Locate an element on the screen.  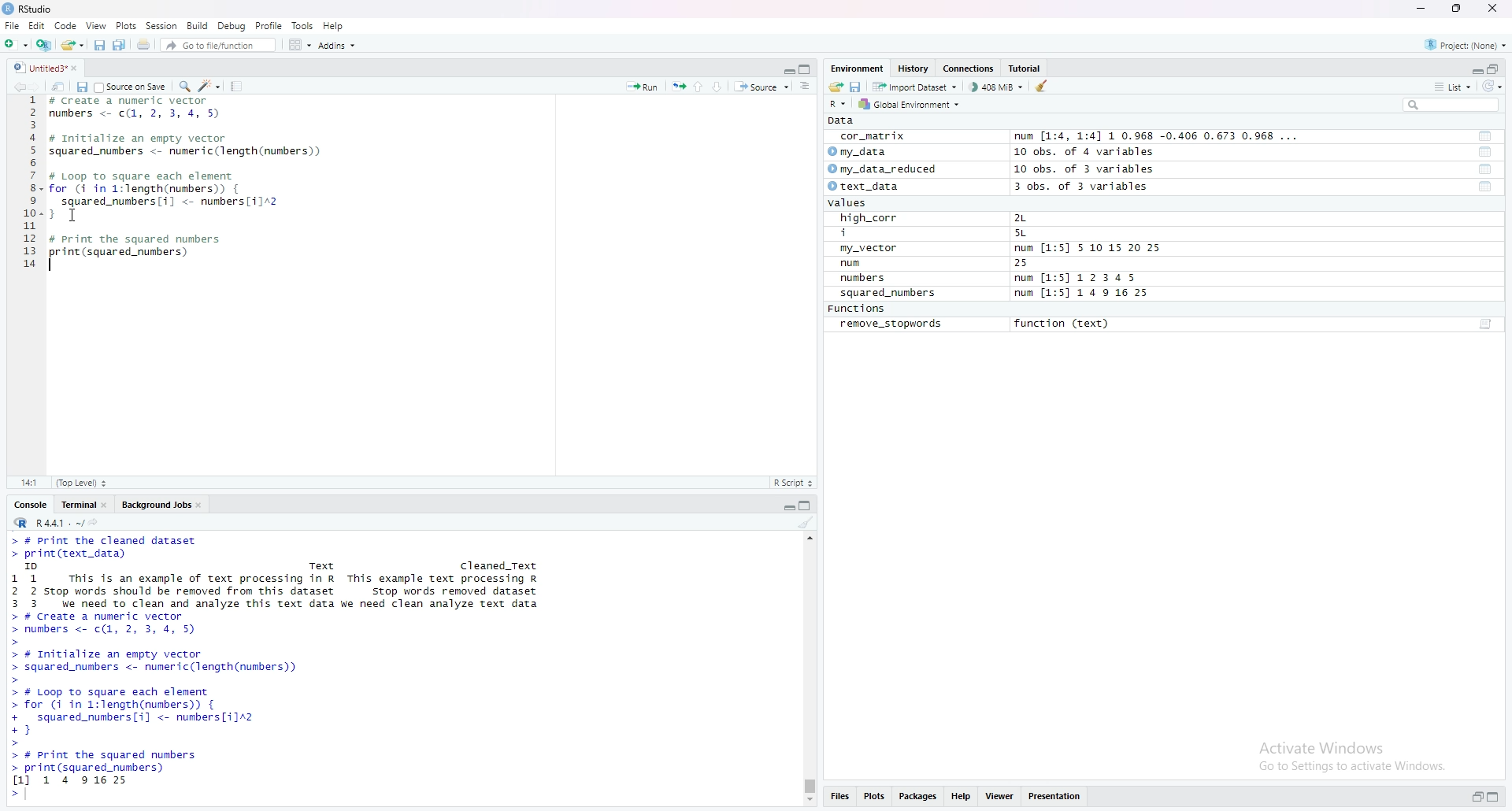
Code is located at coordinates (66, 25).